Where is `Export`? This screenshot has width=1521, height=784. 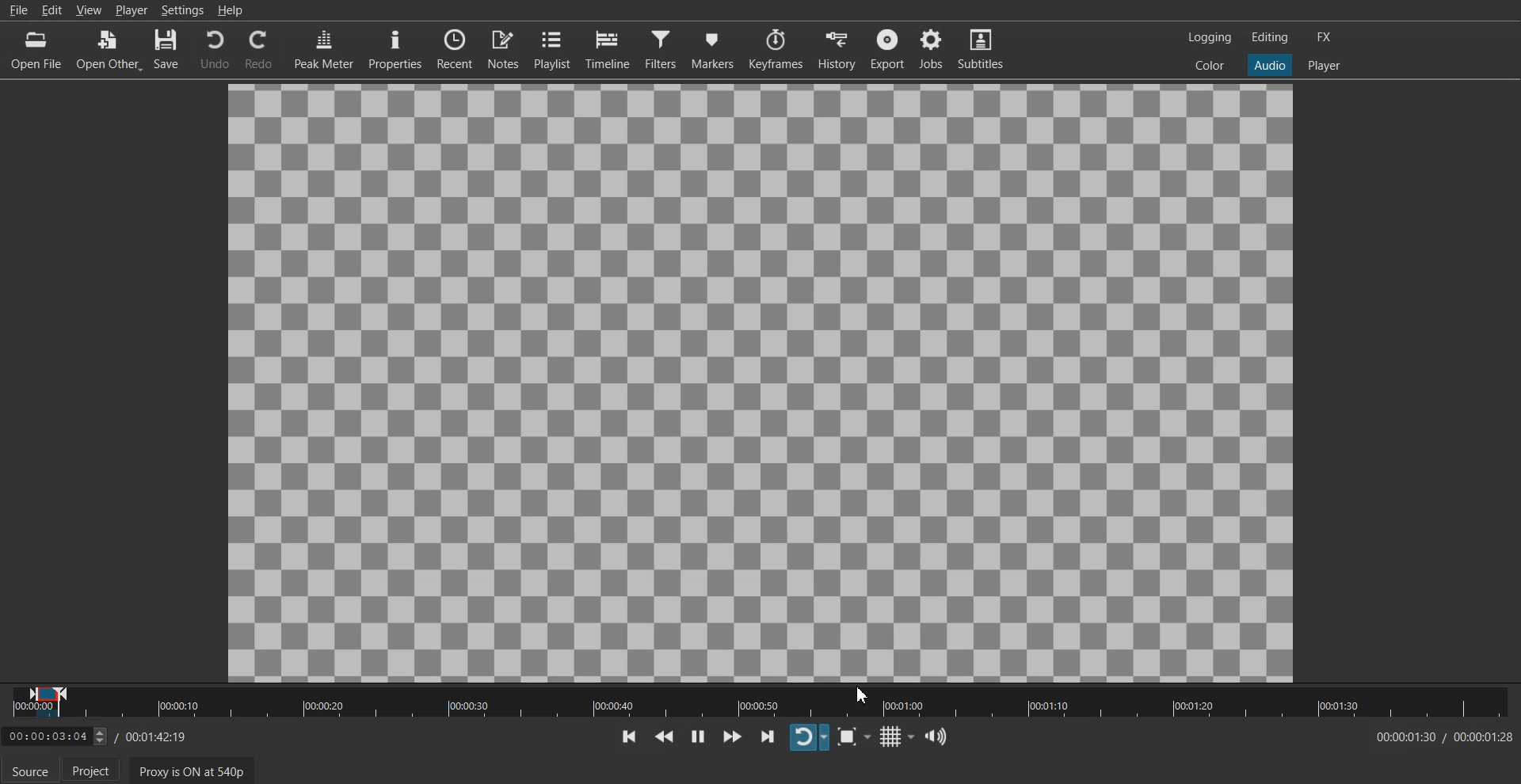
Export is located at coordinates (889, 48).